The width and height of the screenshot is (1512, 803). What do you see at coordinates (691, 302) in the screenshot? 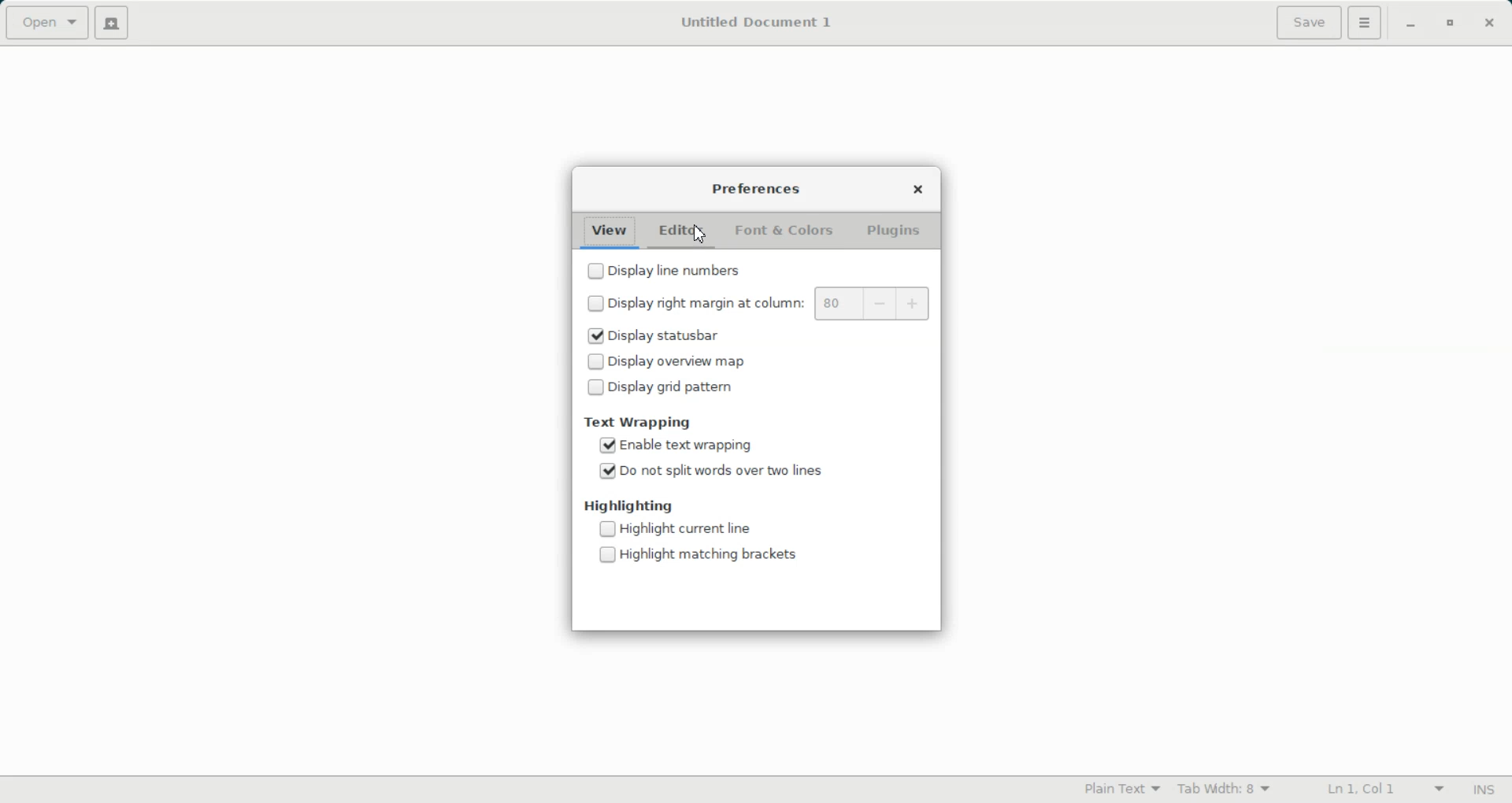
I see `(un)check Display right margin at column` at bounding box center [691, 302].